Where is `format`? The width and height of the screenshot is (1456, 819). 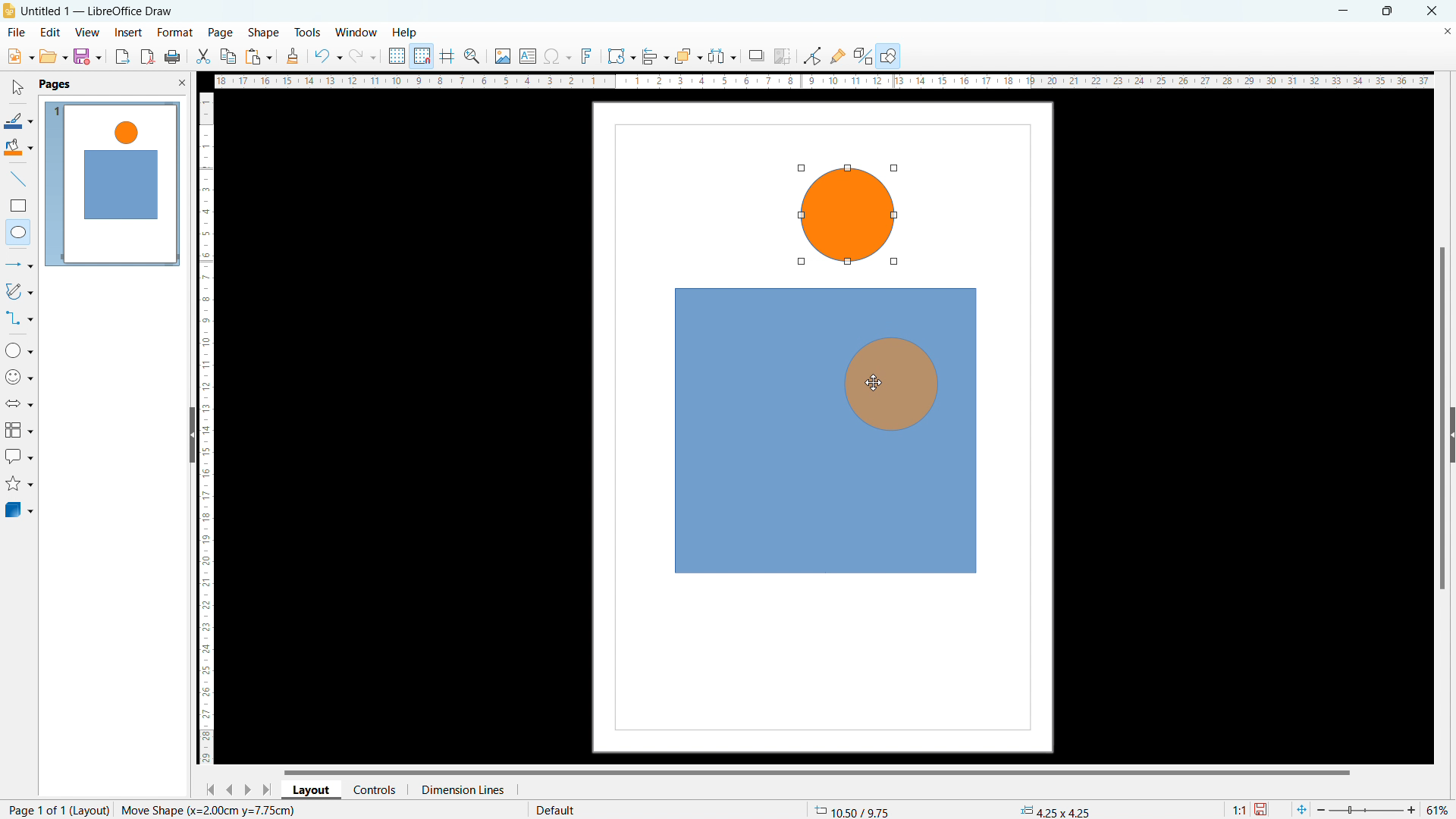 format is located at coordinates (174, 33).